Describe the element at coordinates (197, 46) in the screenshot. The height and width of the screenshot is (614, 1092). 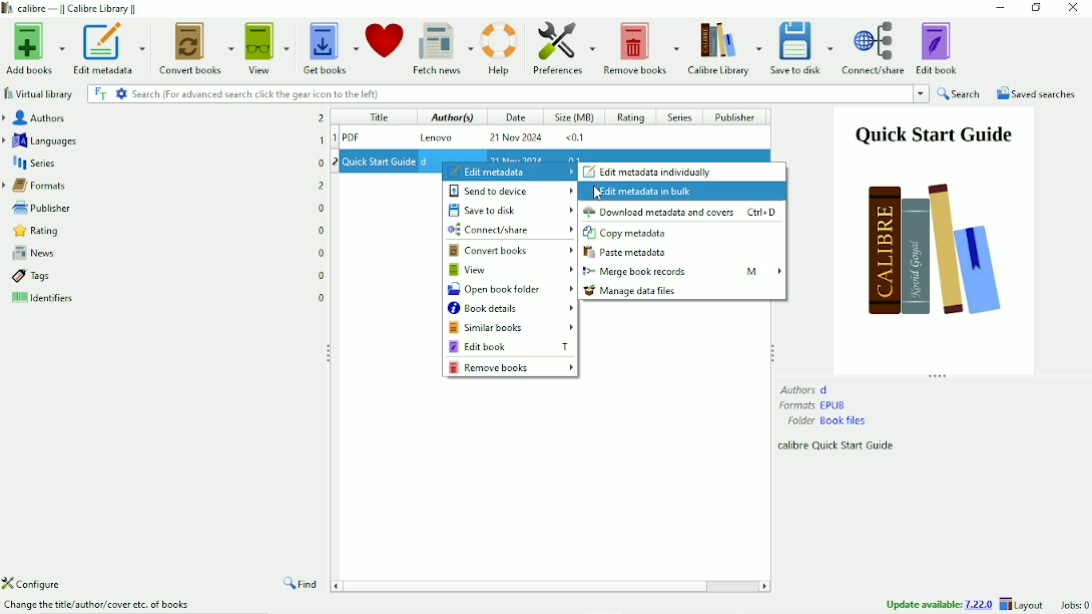
I see `Convert books` at that location.